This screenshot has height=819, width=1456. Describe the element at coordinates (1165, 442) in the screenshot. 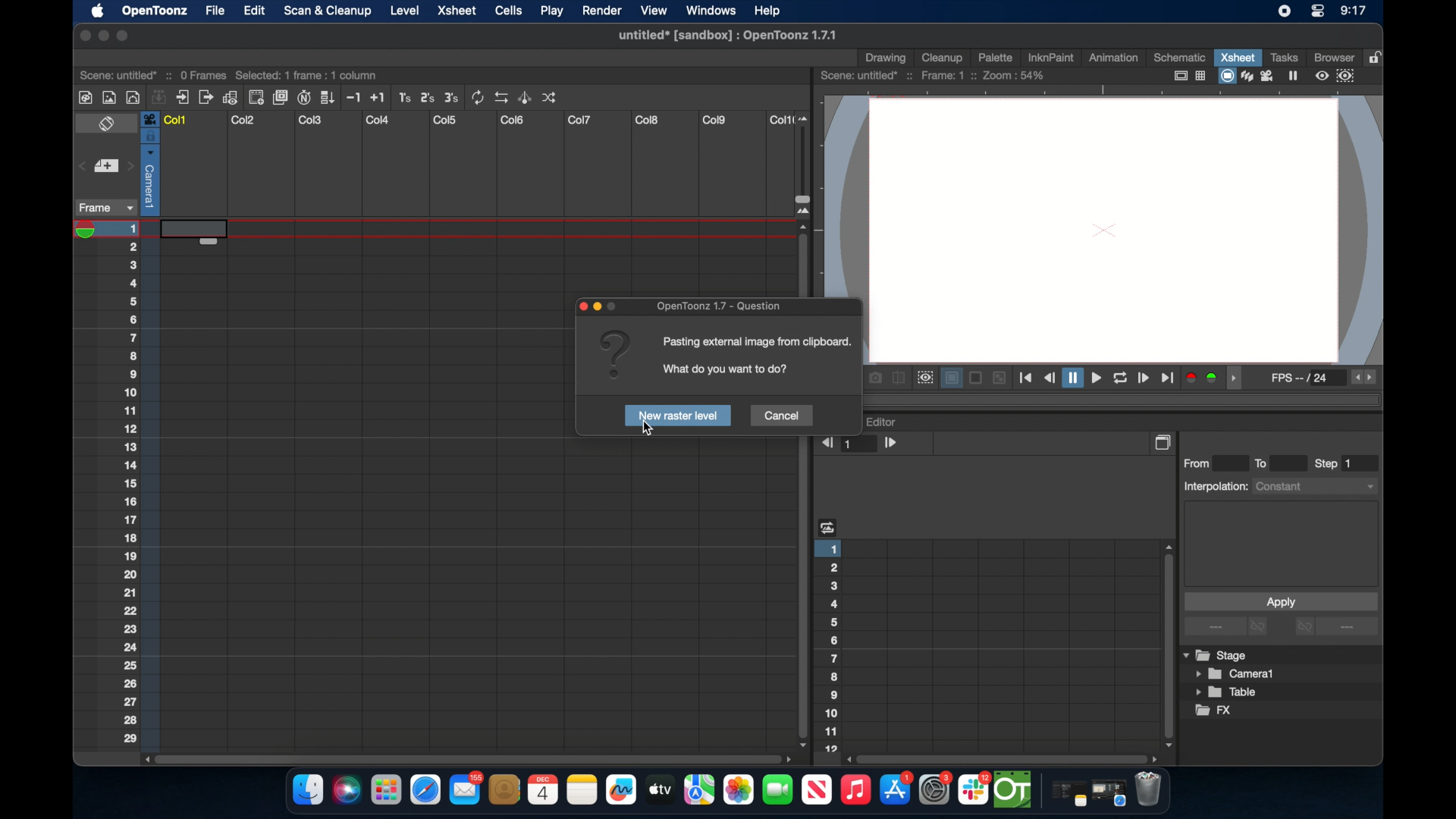

I see `copy` at that location.